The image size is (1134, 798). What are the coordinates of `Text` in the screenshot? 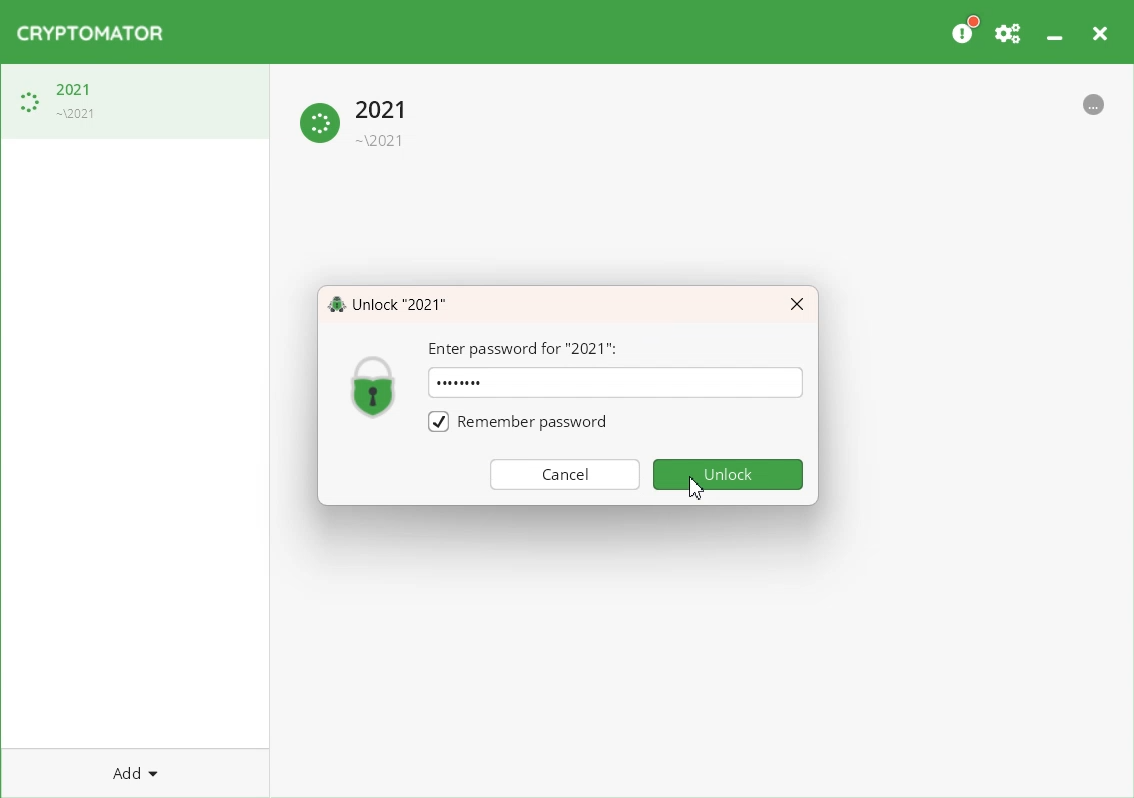 It's located at (387, 303).